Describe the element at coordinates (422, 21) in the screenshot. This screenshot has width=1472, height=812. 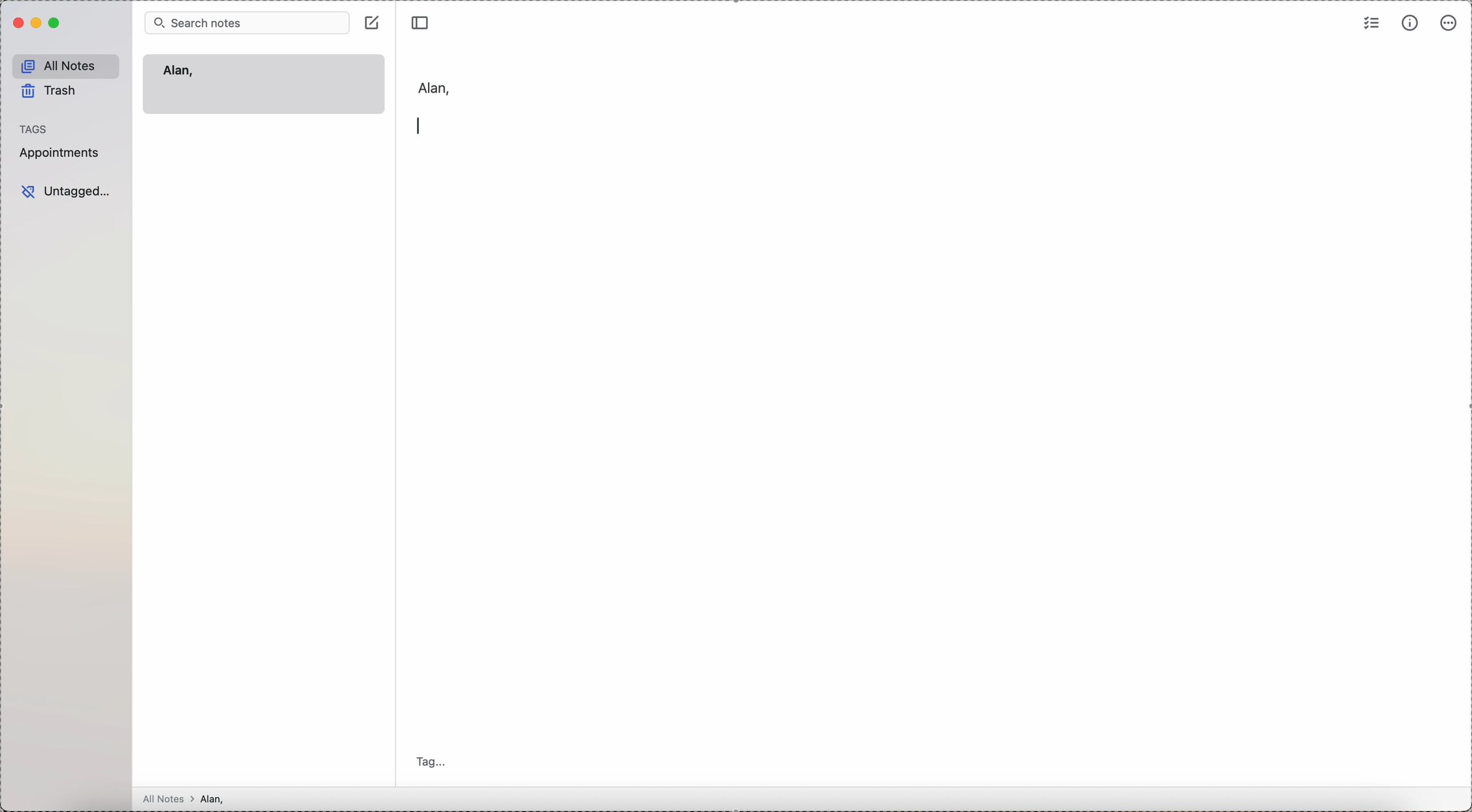
I see `toggle sidebar` at that location.